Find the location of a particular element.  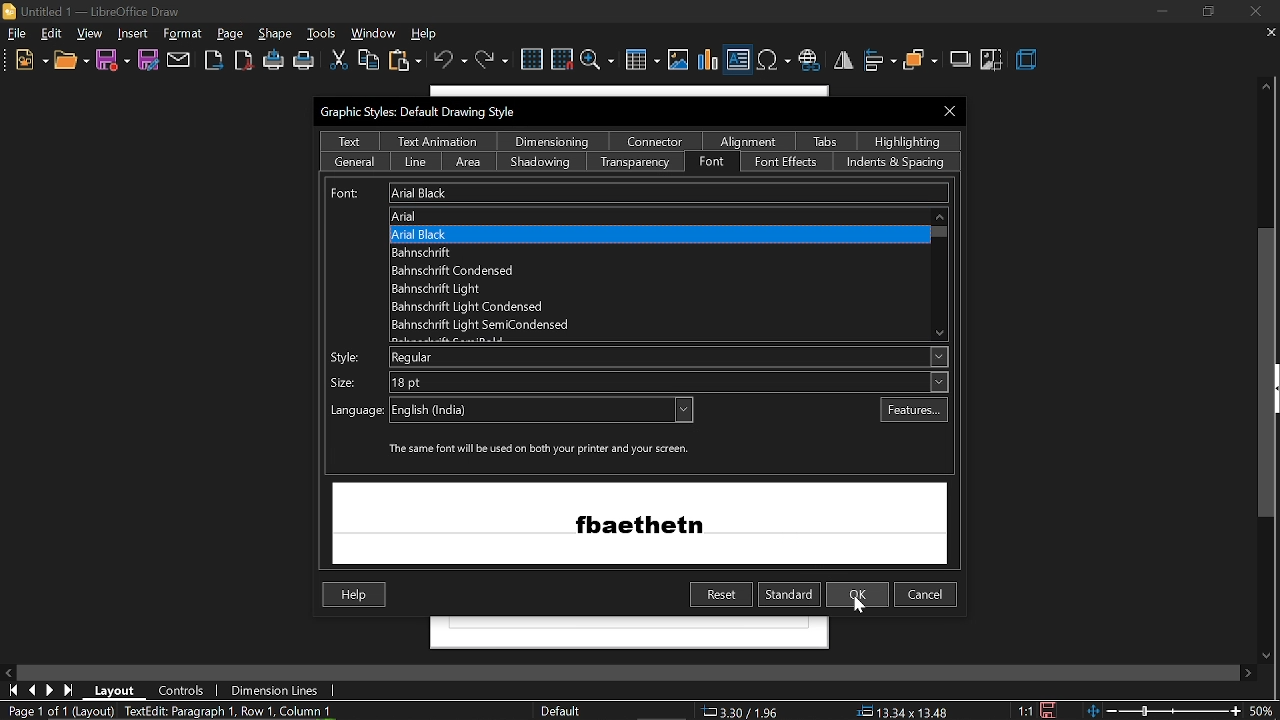

scaling factor (1:1) is located at coordinates (1025, 709).